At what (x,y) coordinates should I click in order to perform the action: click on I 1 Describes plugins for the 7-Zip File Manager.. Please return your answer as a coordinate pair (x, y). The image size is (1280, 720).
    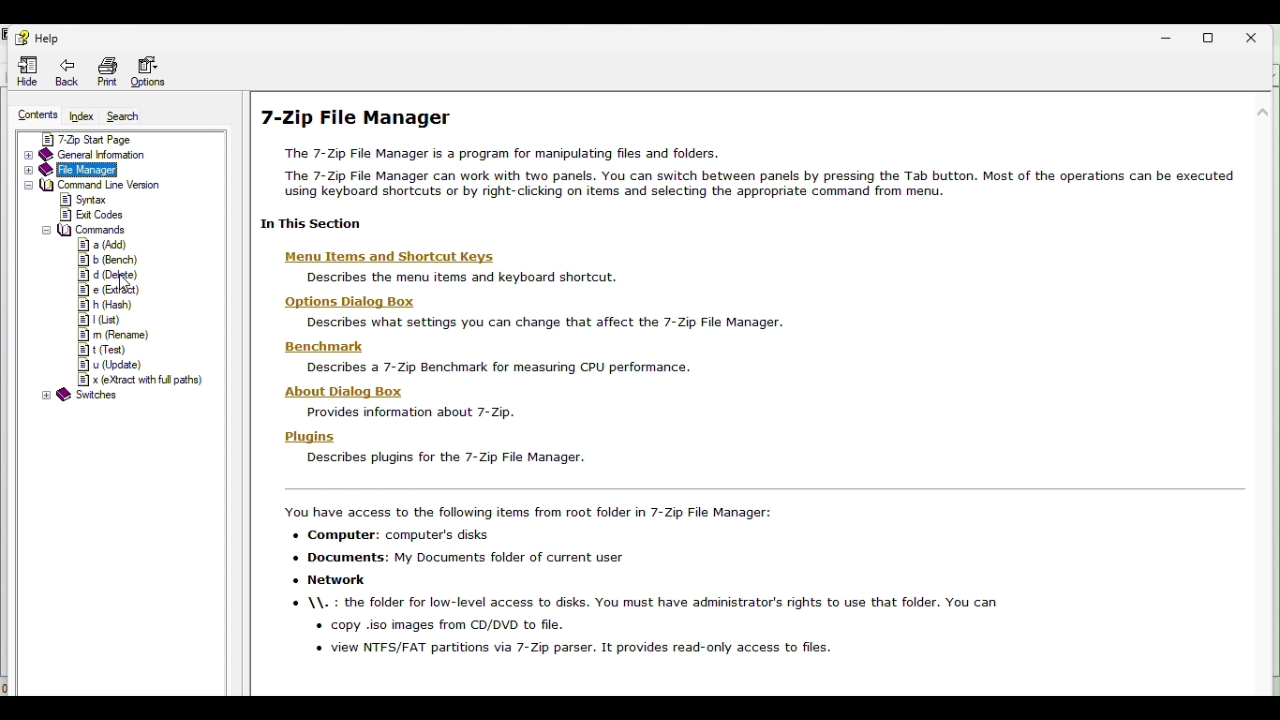
    Looking at the image, I should click on (453, 459).